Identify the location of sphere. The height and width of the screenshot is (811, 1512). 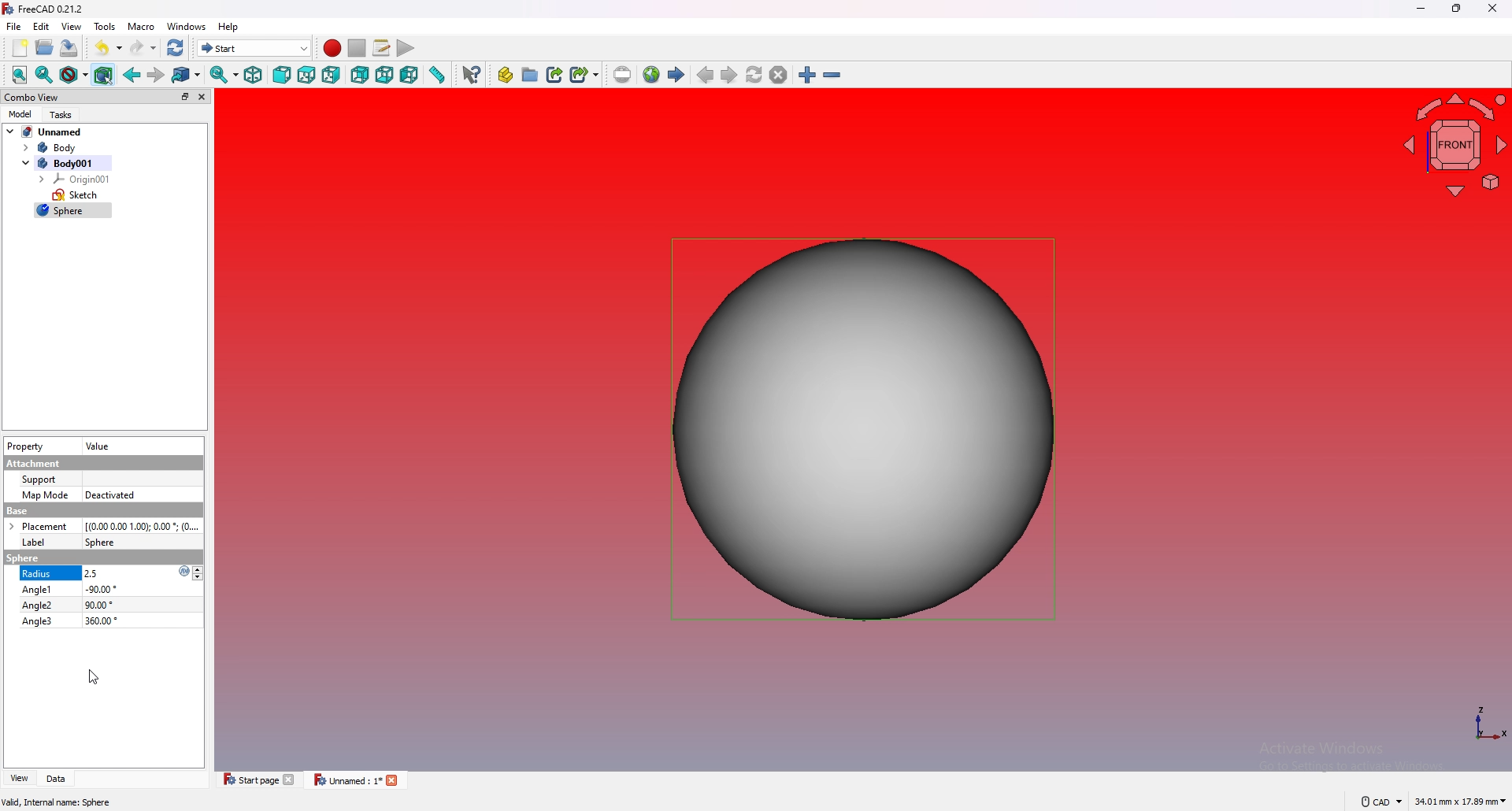
(863, 431).